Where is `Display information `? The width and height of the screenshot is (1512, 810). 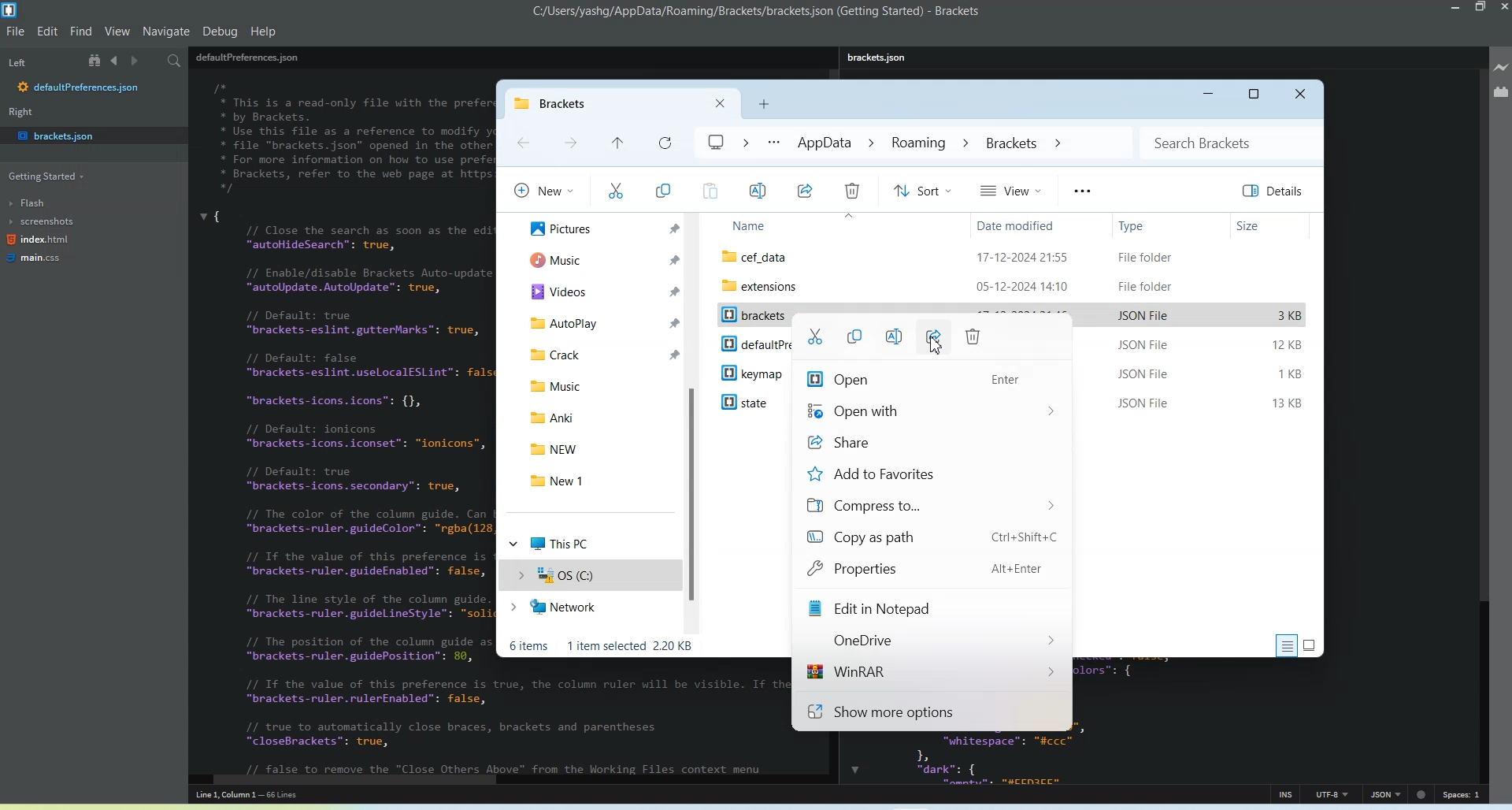
Display information  is located at coordinates (1286, 645).